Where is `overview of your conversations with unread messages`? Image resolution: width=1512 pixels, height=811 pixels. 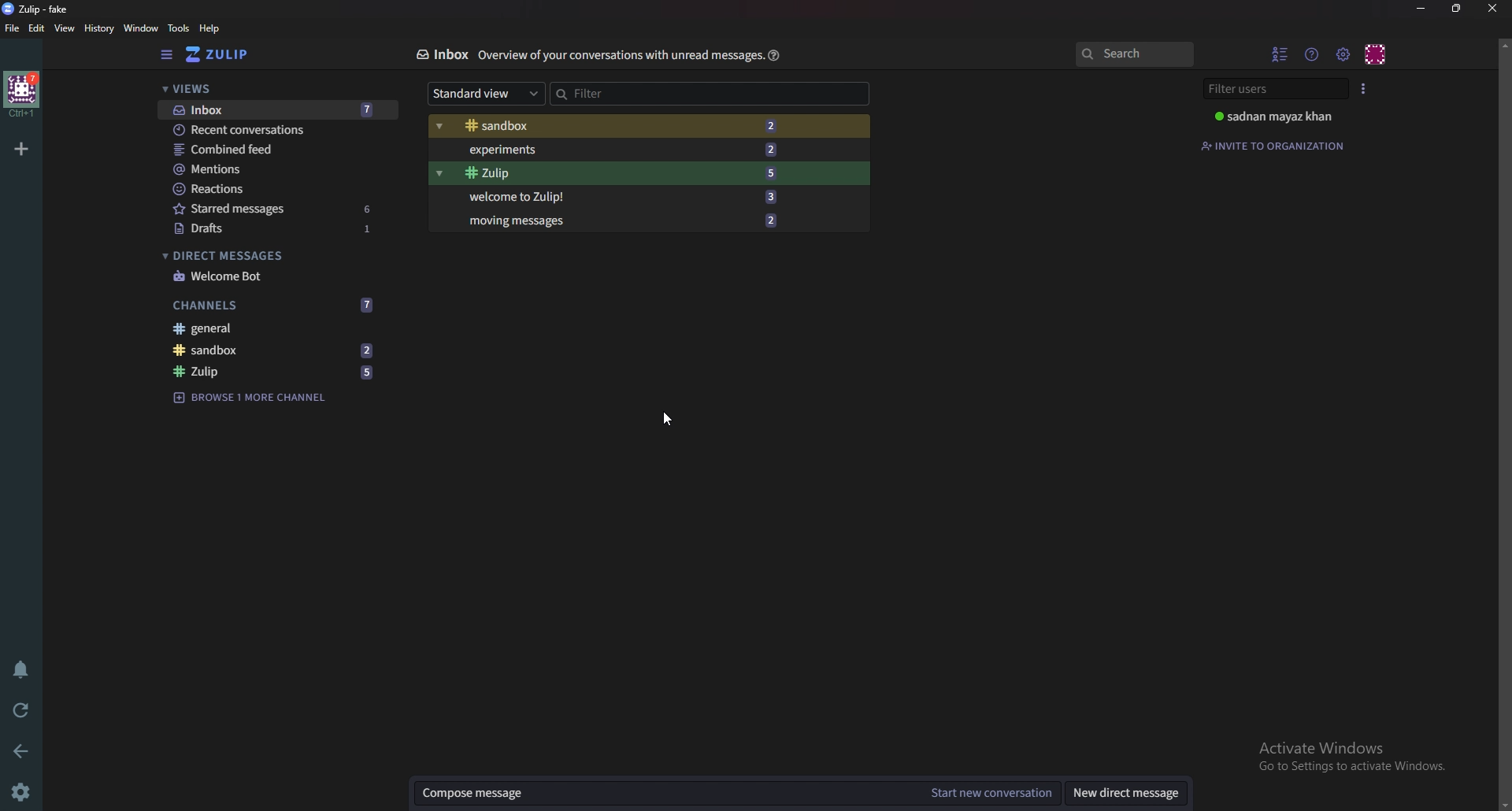
overview of your conversations with unread messages is located at coordinates (618, 56).